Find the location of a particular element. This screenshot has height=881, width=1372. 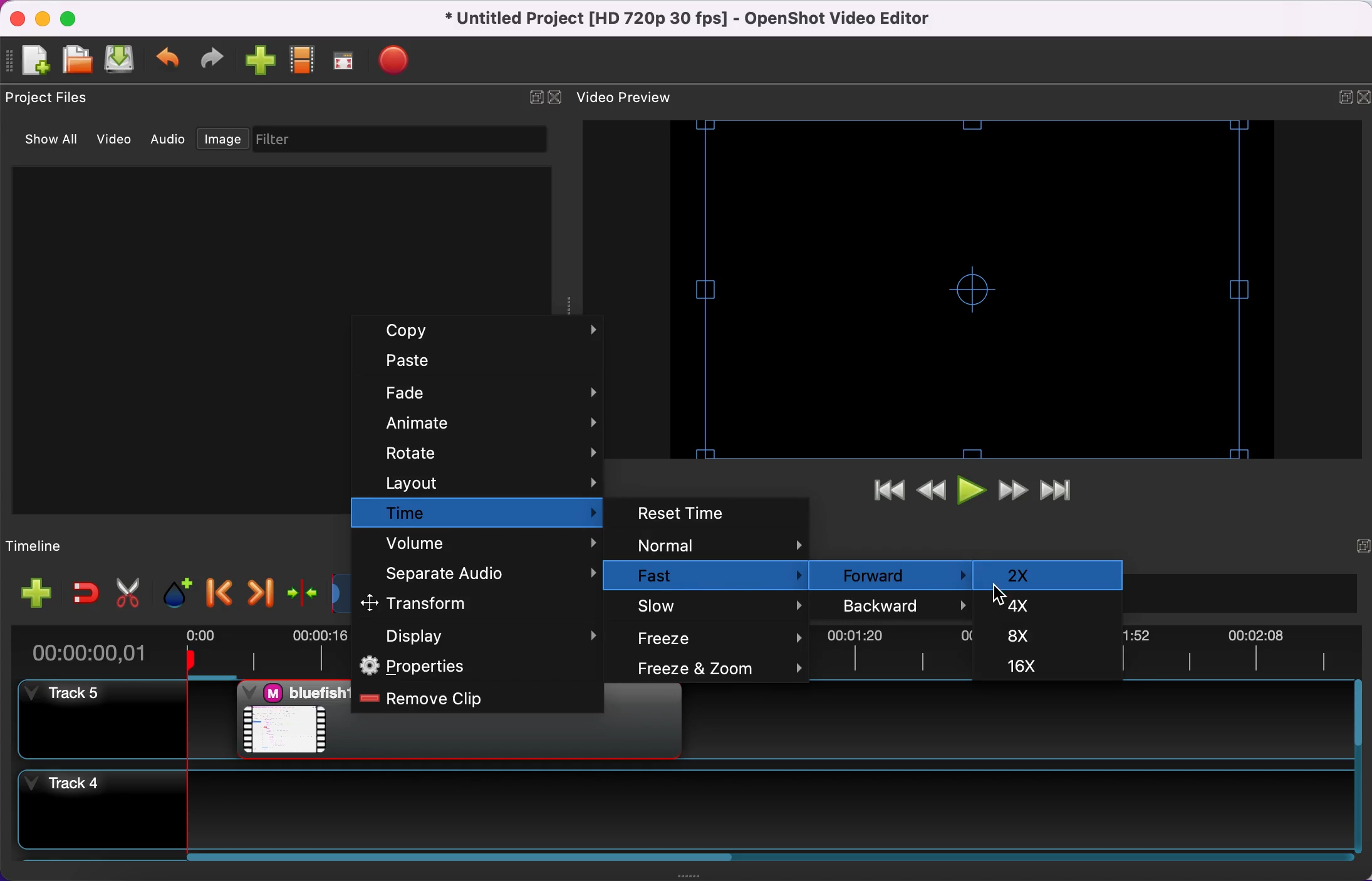

track 5 is located at coordinates (103, 719).